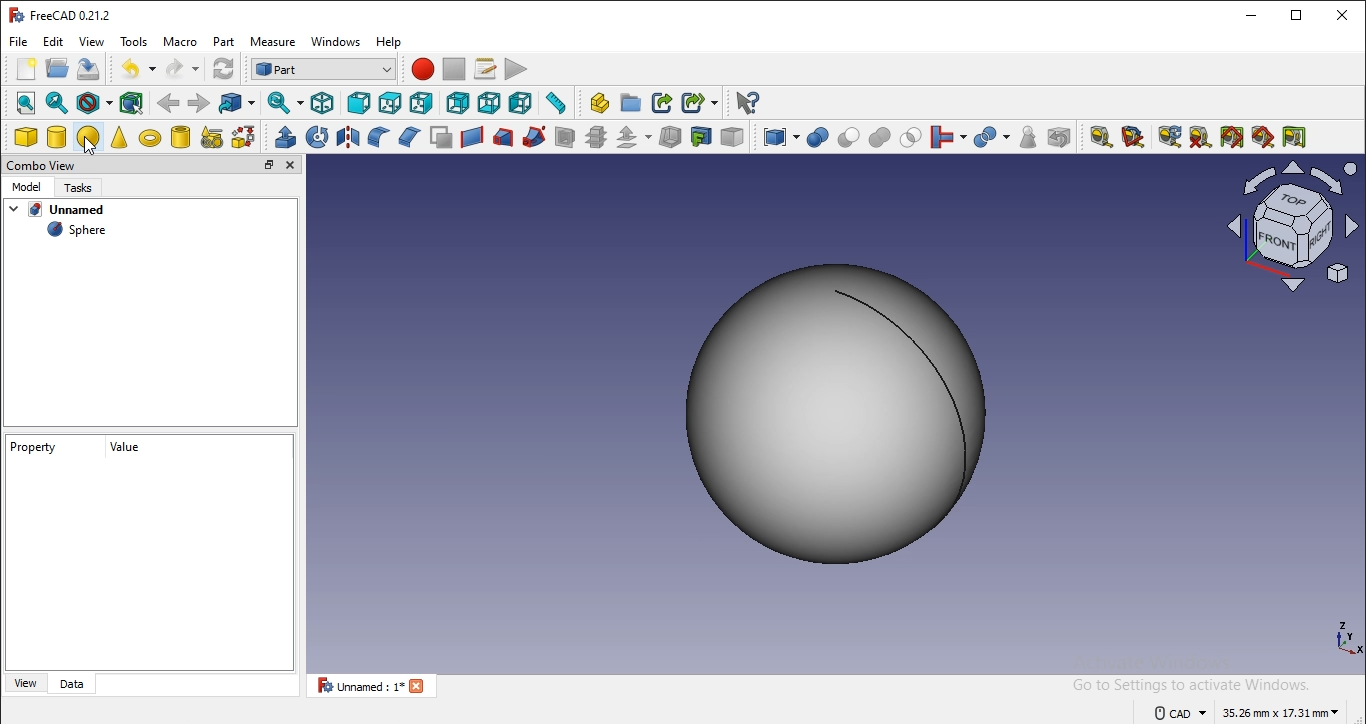 The height and width of the screenshot is (724, 1366). I want to click on file, so click(20, 43).